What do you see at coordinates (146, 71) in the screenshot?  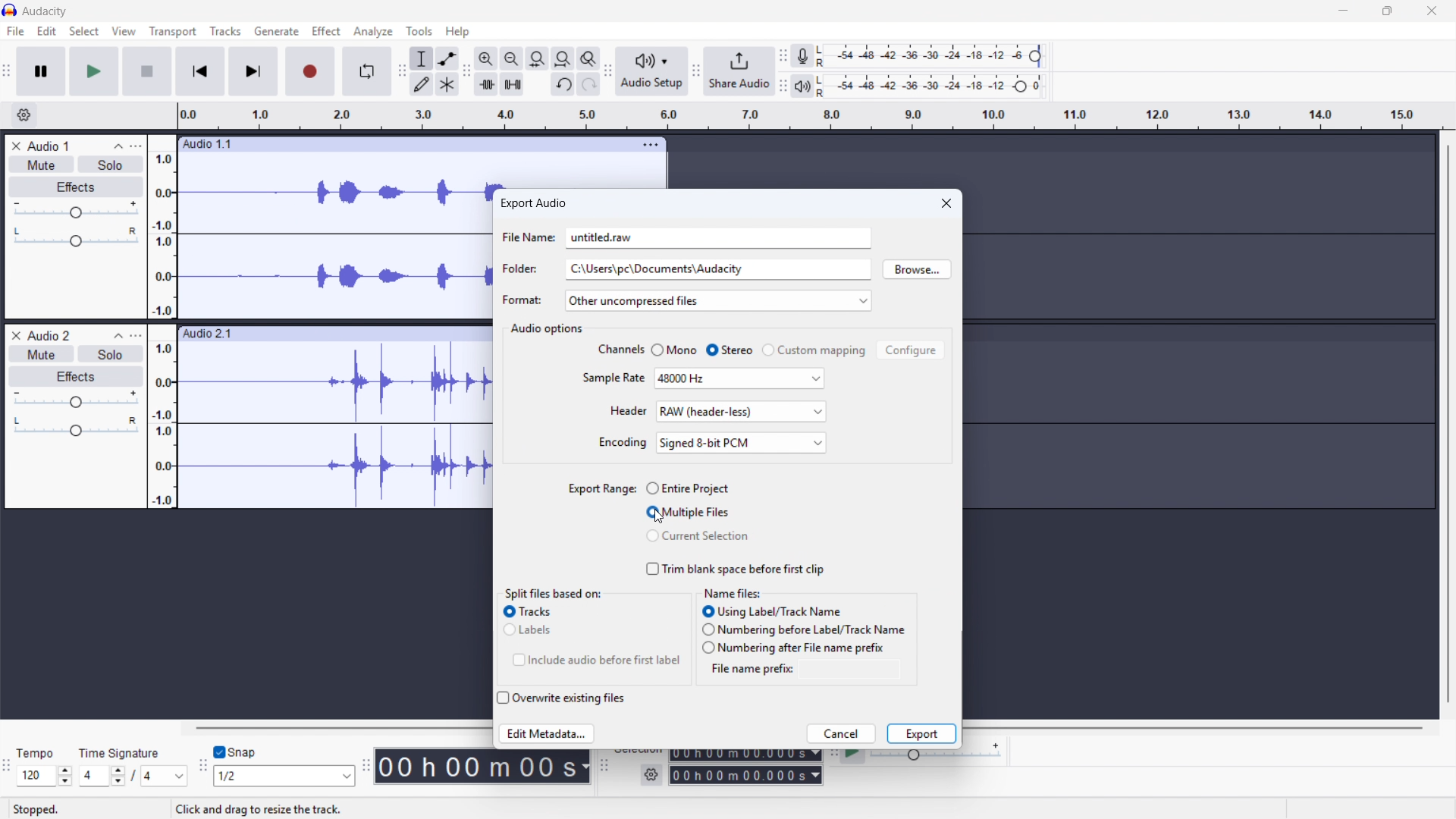 I see `Stop ` at bounding box center [146, 71].